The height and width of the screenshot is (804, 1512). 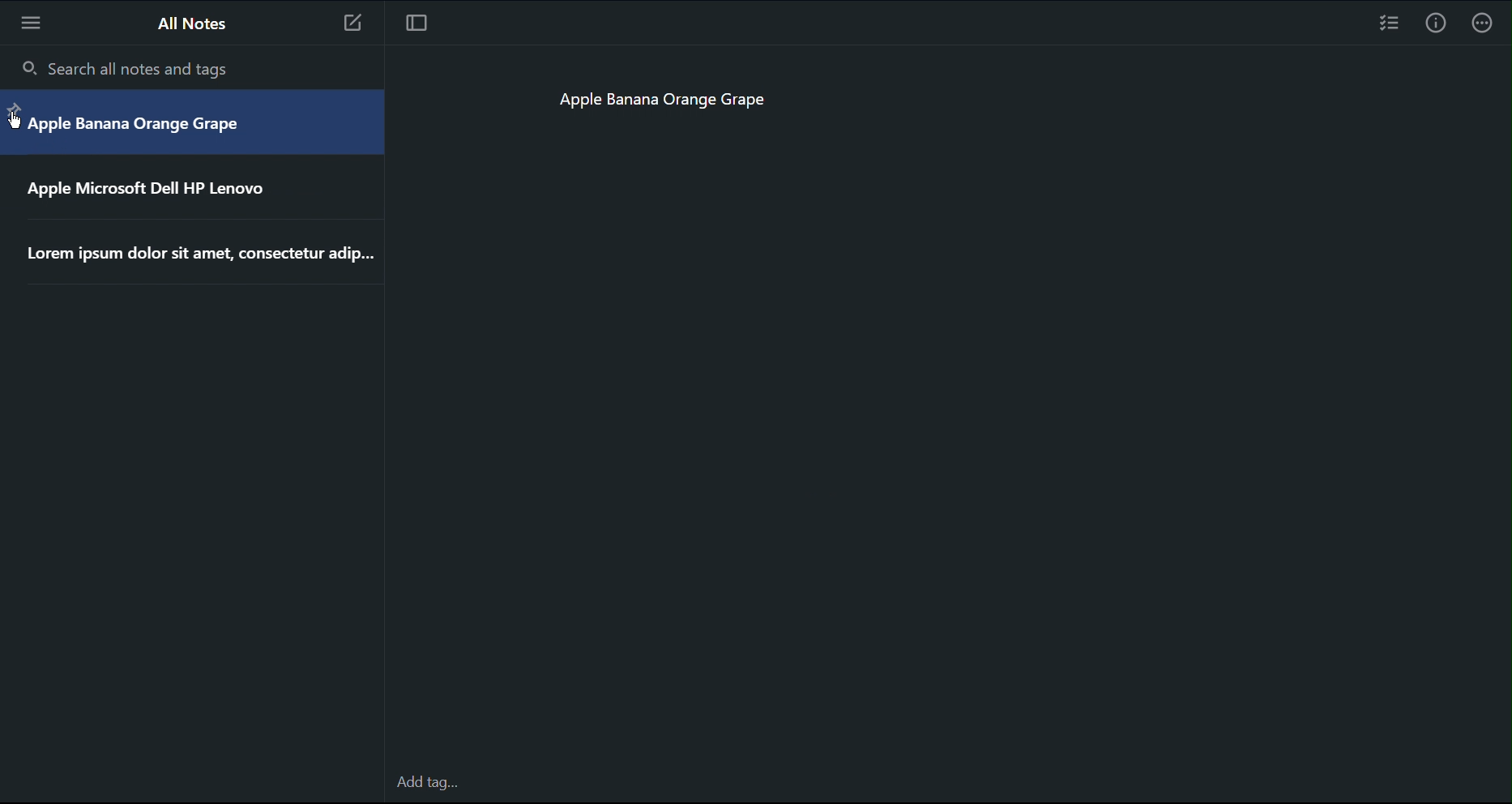 What do you see at coordinates (137, 123) in the screenshot?
I see `apple Banana Orange Grape` at bounding box center [137, 123].